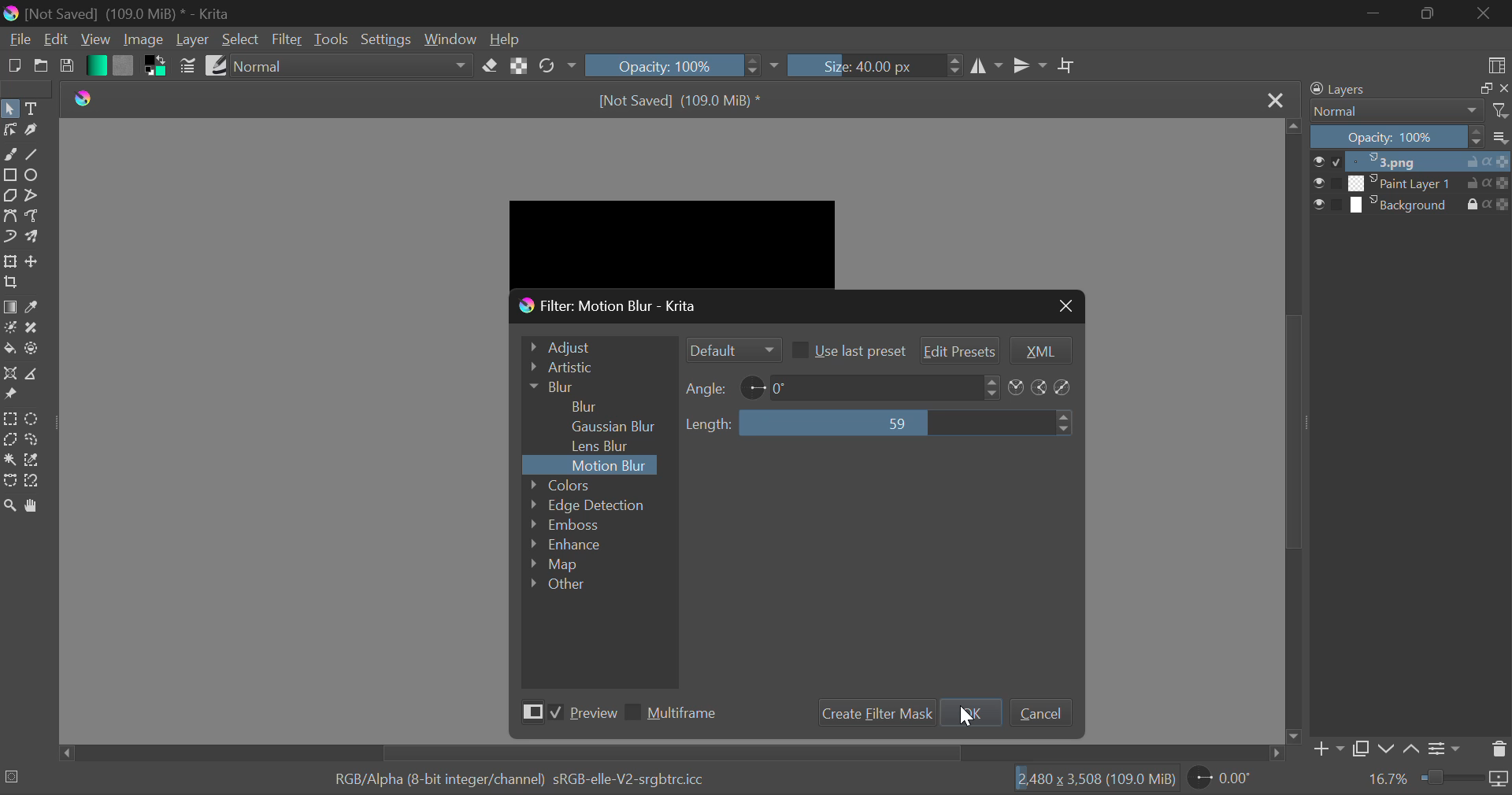 This screenshot has height=795, width=1512. Describe the element at coordinates (134, 13) in the screenshot. I see `[Not Saved] (109.0 MiB) * - Krita` at that location.